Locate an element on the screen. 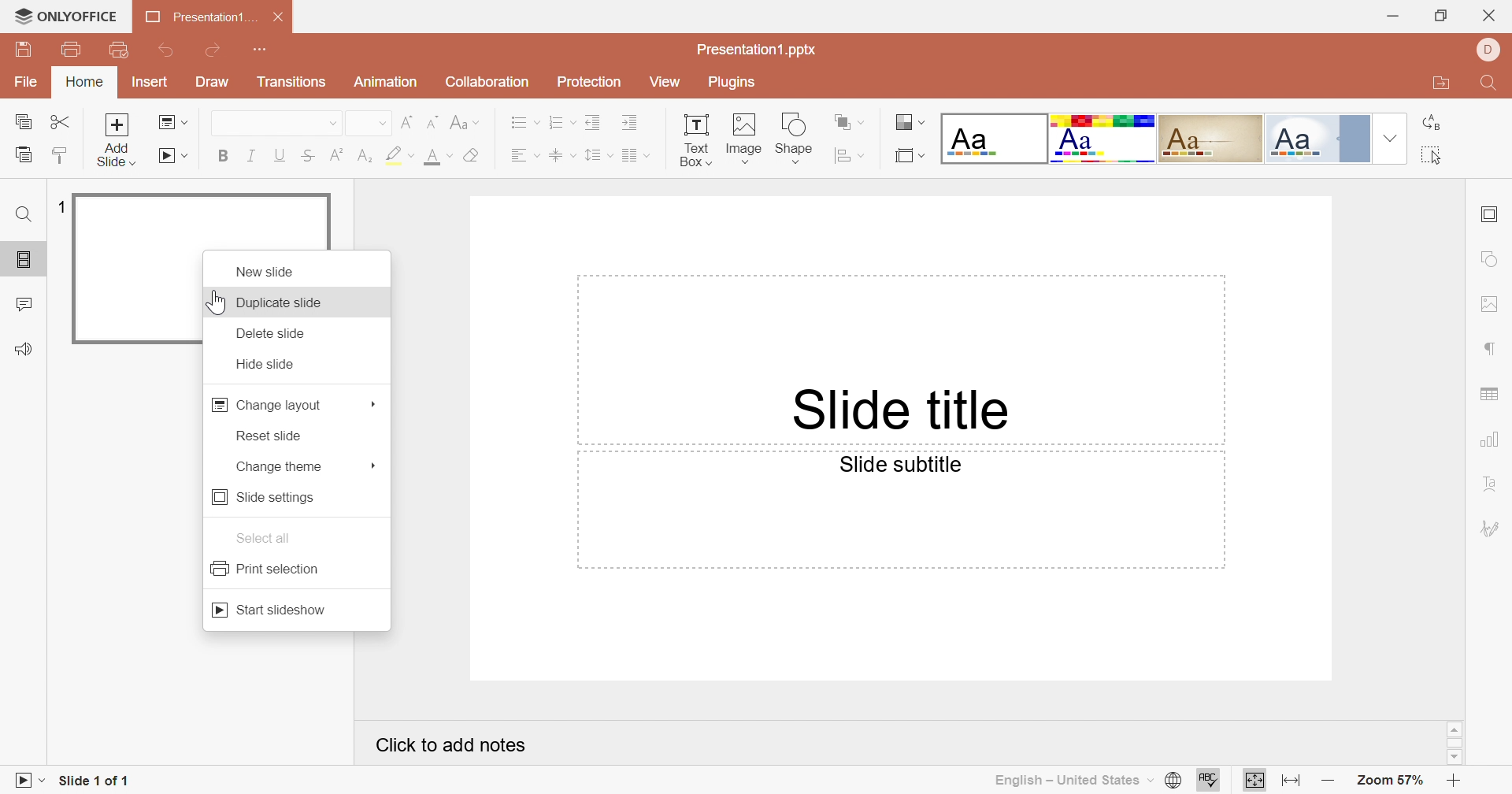  Increment font size is located at coordinates (404, 119).